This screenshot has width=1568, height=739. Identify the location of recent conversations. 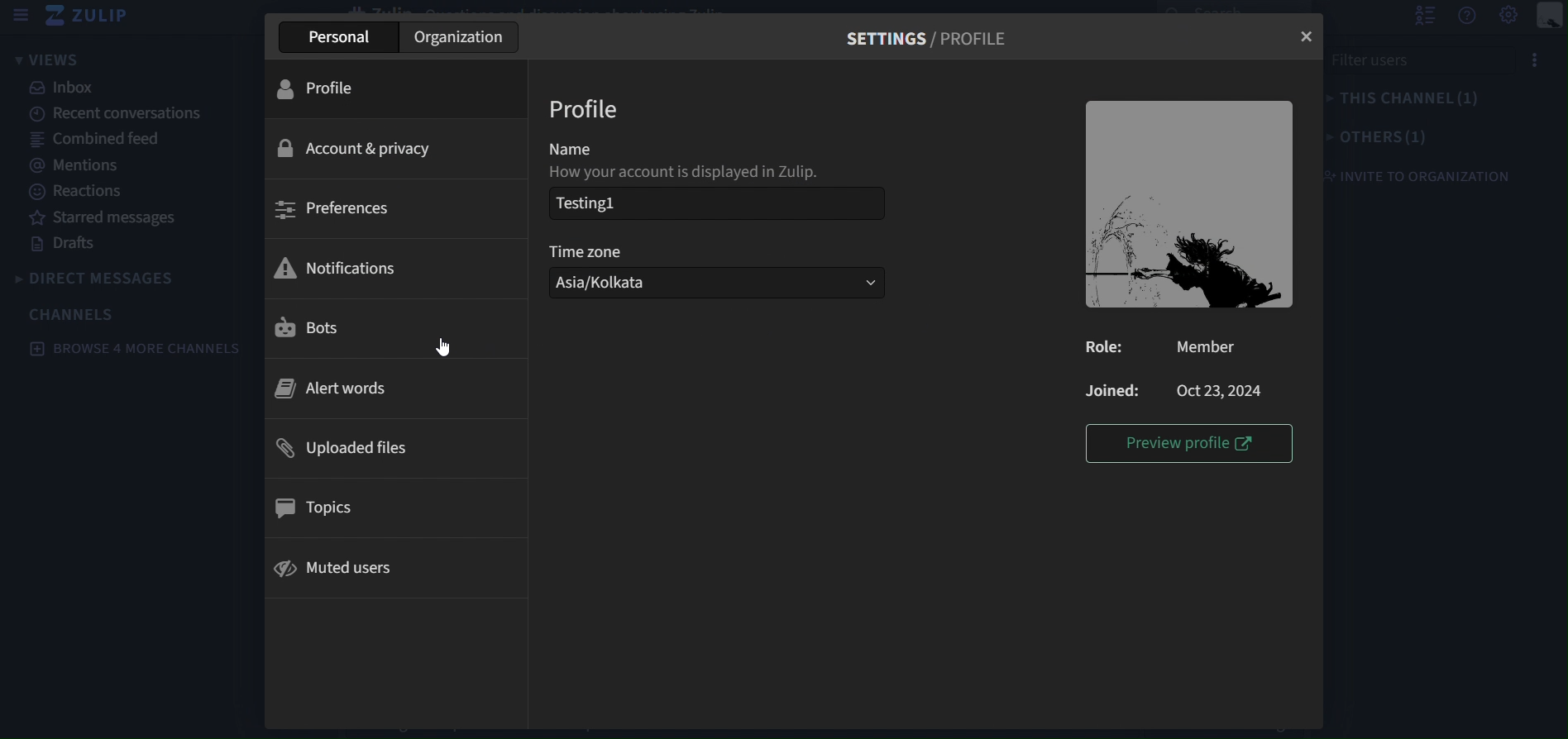
(127, 116).